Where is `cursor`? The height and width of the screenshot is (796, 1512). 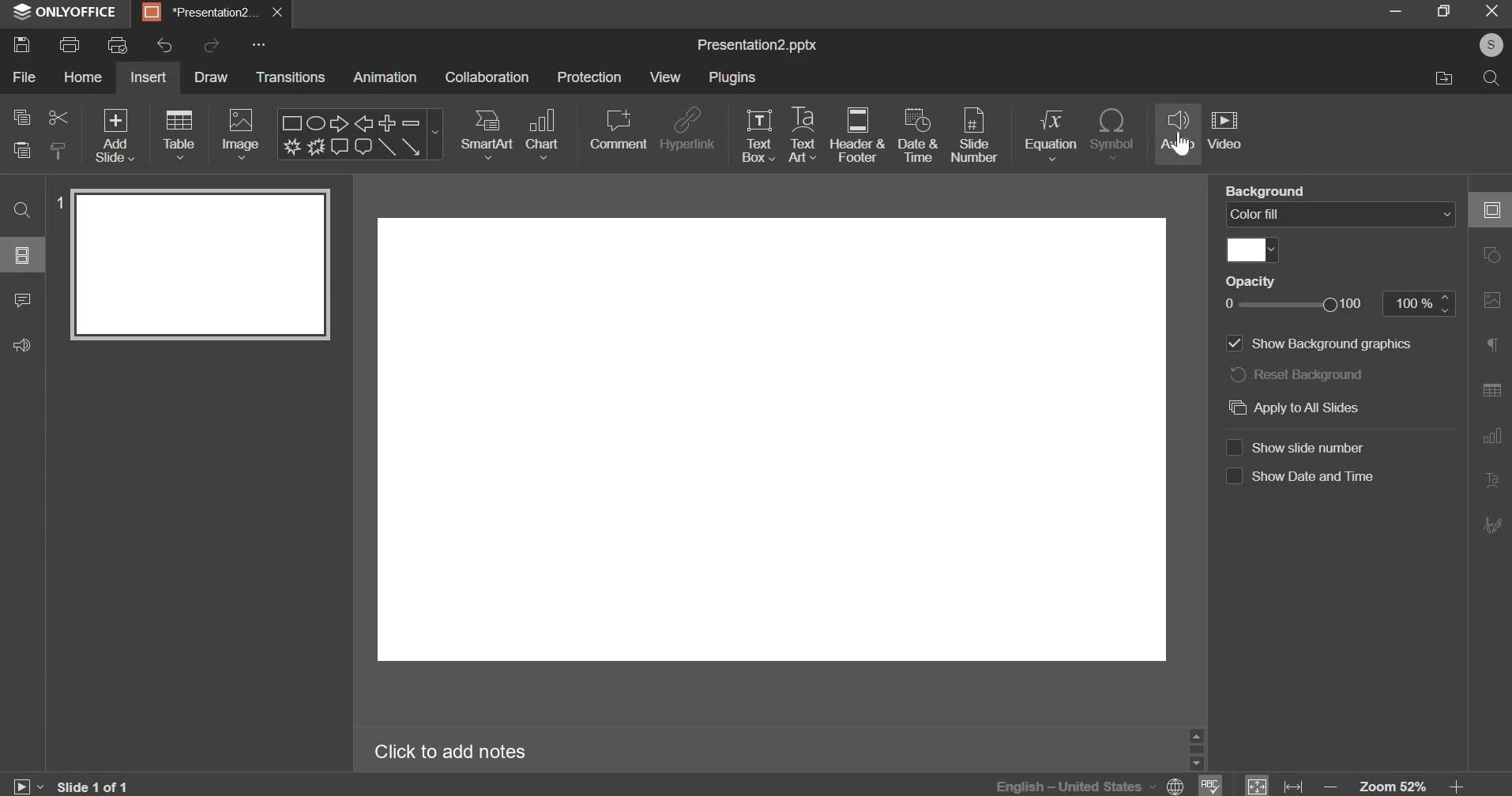 cursor is located at coordinates (1180, 145).